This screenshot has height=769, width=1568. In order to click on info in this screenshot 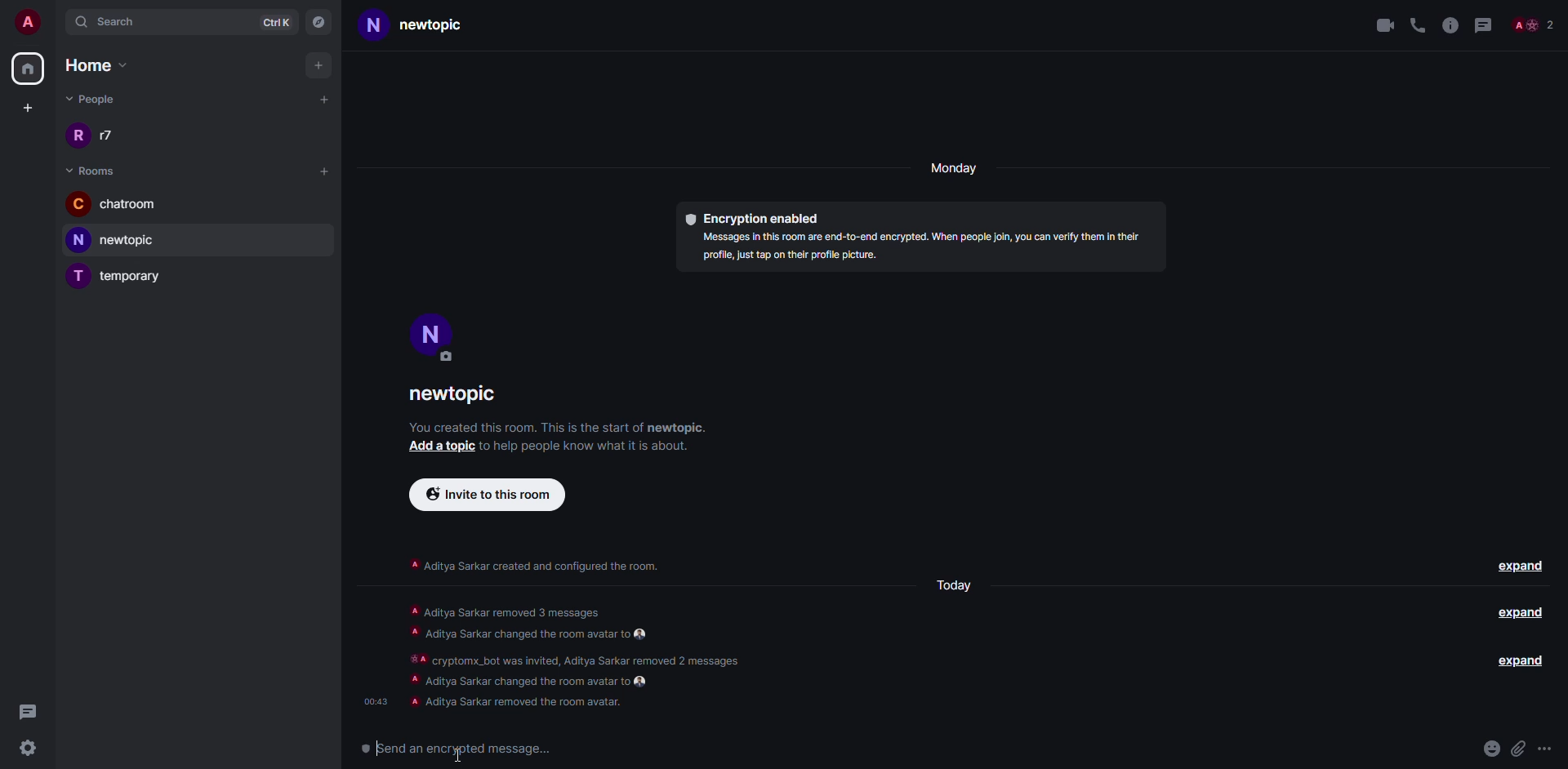, I will do `click(1450, 23)`.